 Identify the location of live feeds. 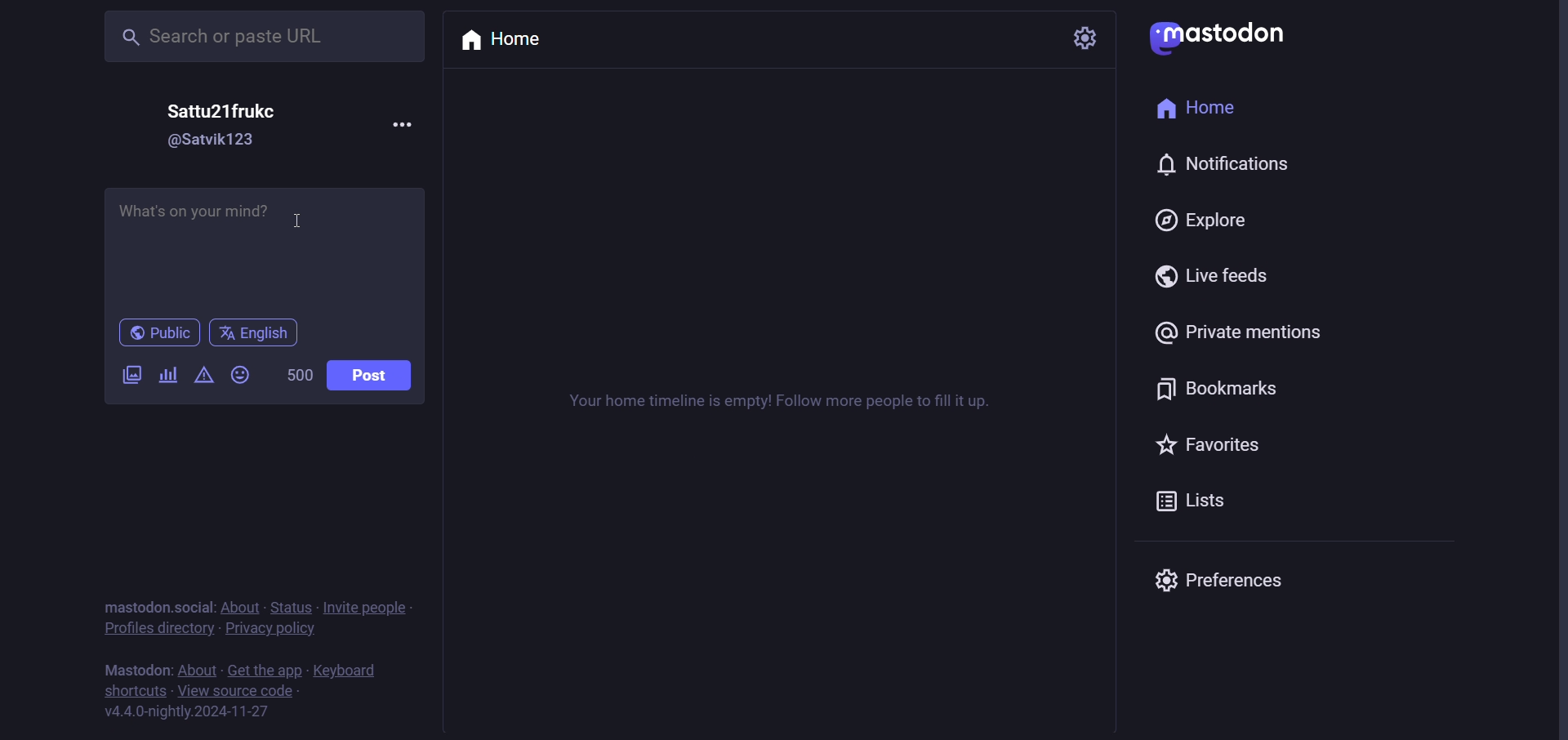
(1209, 277).